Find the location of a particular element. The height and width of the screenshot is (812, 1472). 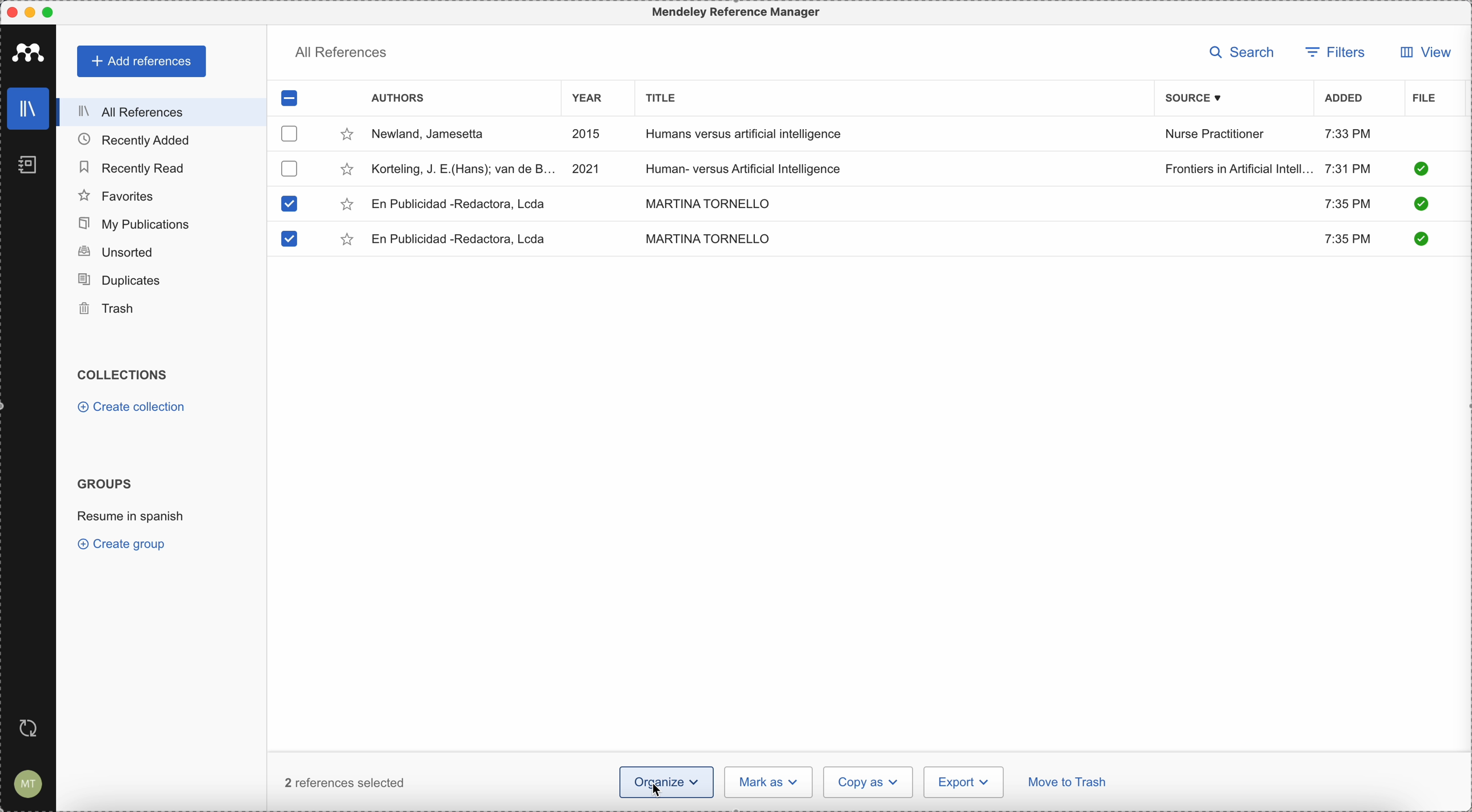

trash is located at coordinates (109, 309).